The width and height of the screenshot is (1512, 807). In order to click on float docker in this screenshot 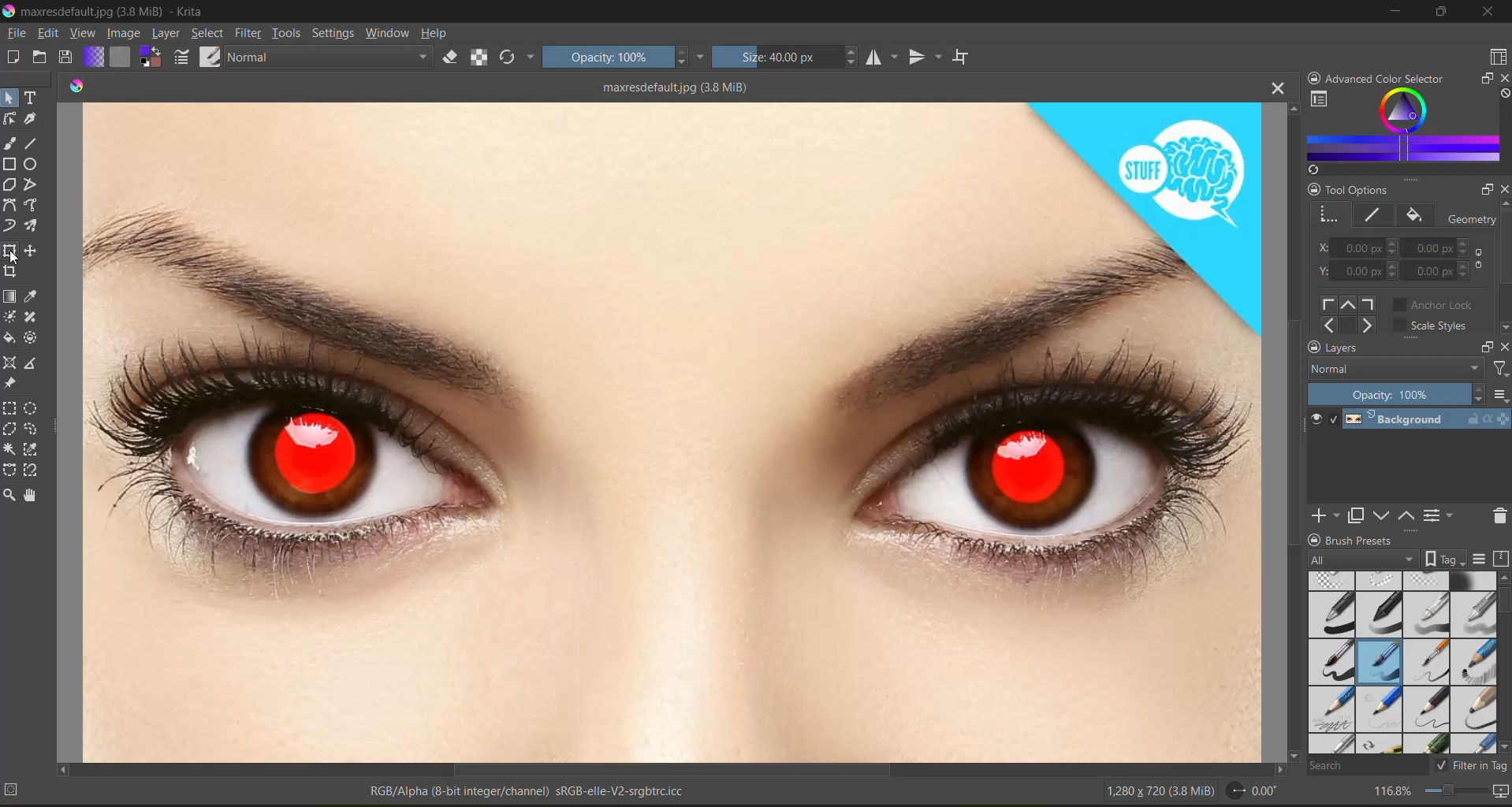, I will do `click(1487, 347)`.